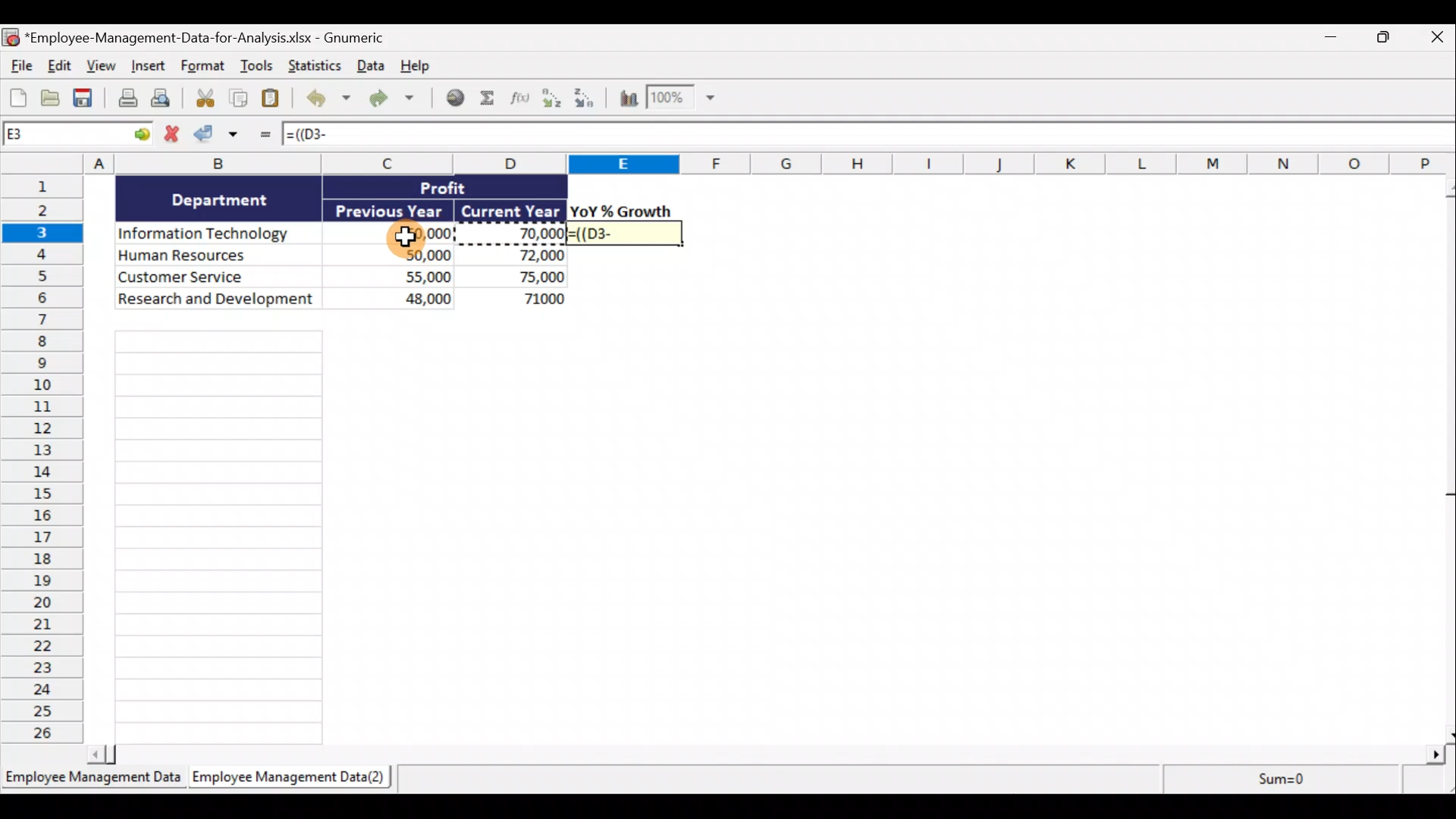 This screenshot has width=1456, height=819. I want to click on Sheet 2, so click(284, 778).